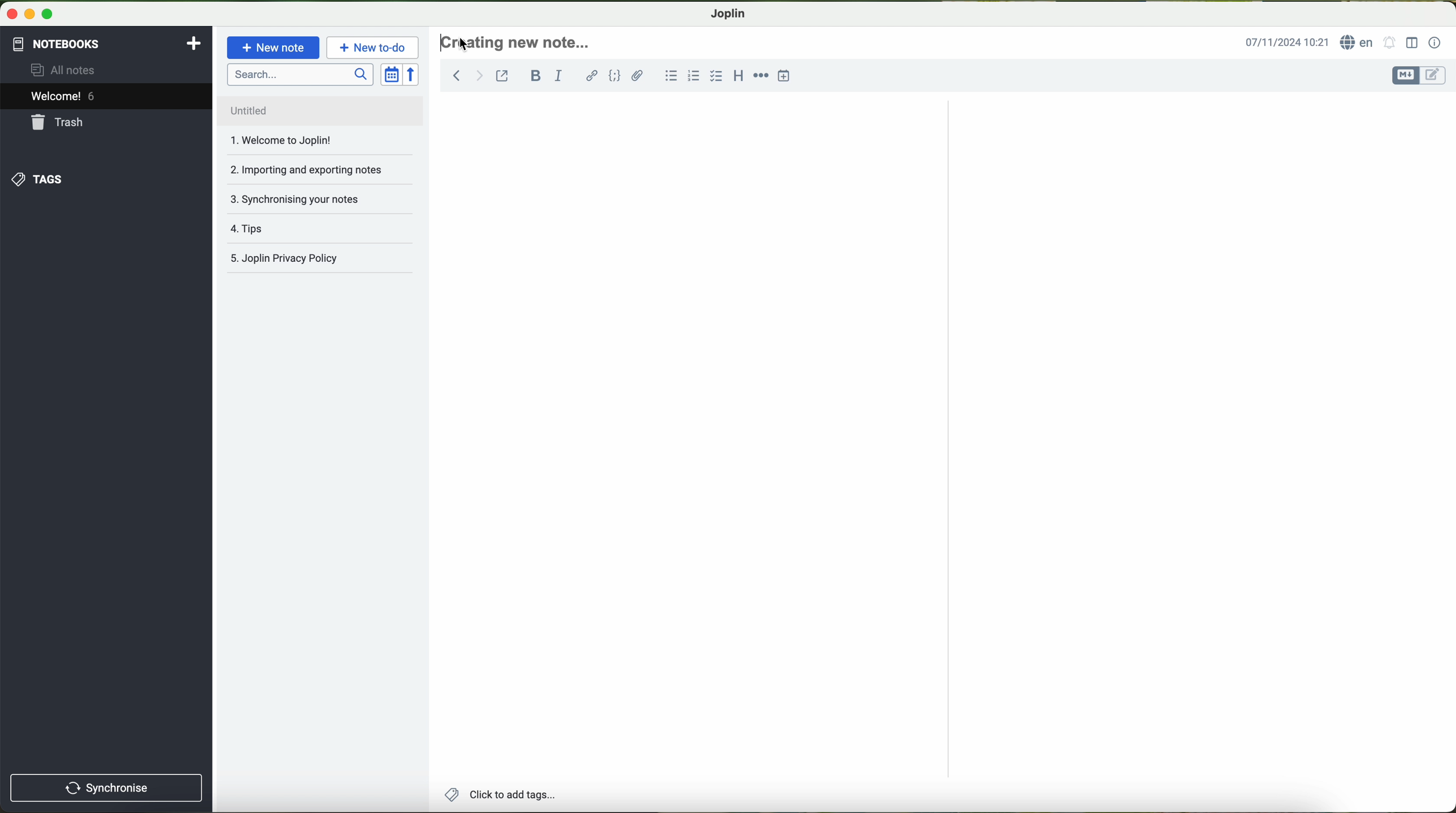  Describe the element at coordinates (412, 74) in the screenshot. I see `reverse sort order` at that location.